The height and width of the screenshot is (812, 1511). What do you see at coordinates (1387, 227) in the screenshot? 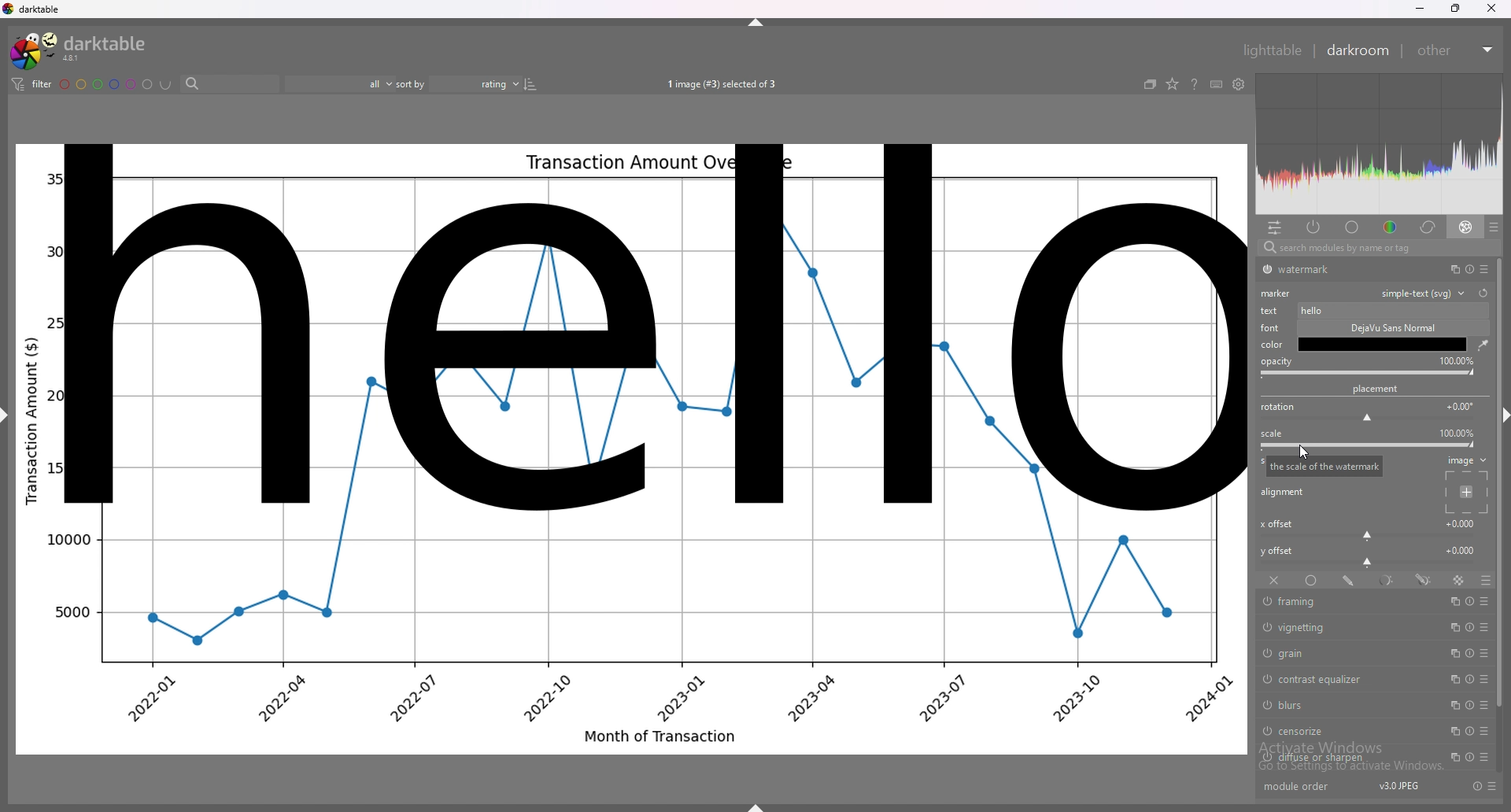
I see `color` at bounding box center [1387, 227].